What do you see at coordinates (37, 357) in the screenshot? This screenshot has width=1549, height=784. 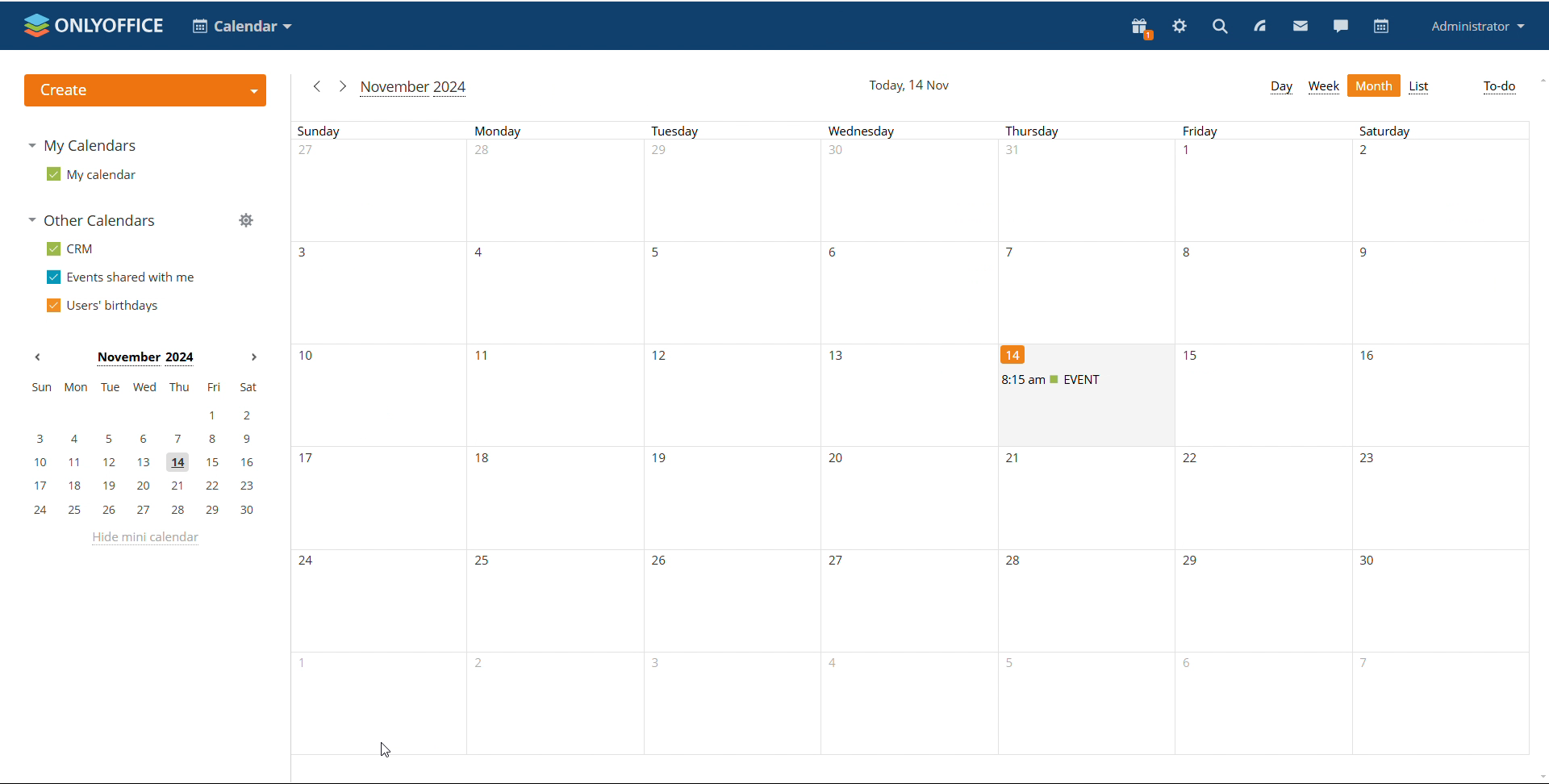 I see `previous month` at bounding box center [37, 357].